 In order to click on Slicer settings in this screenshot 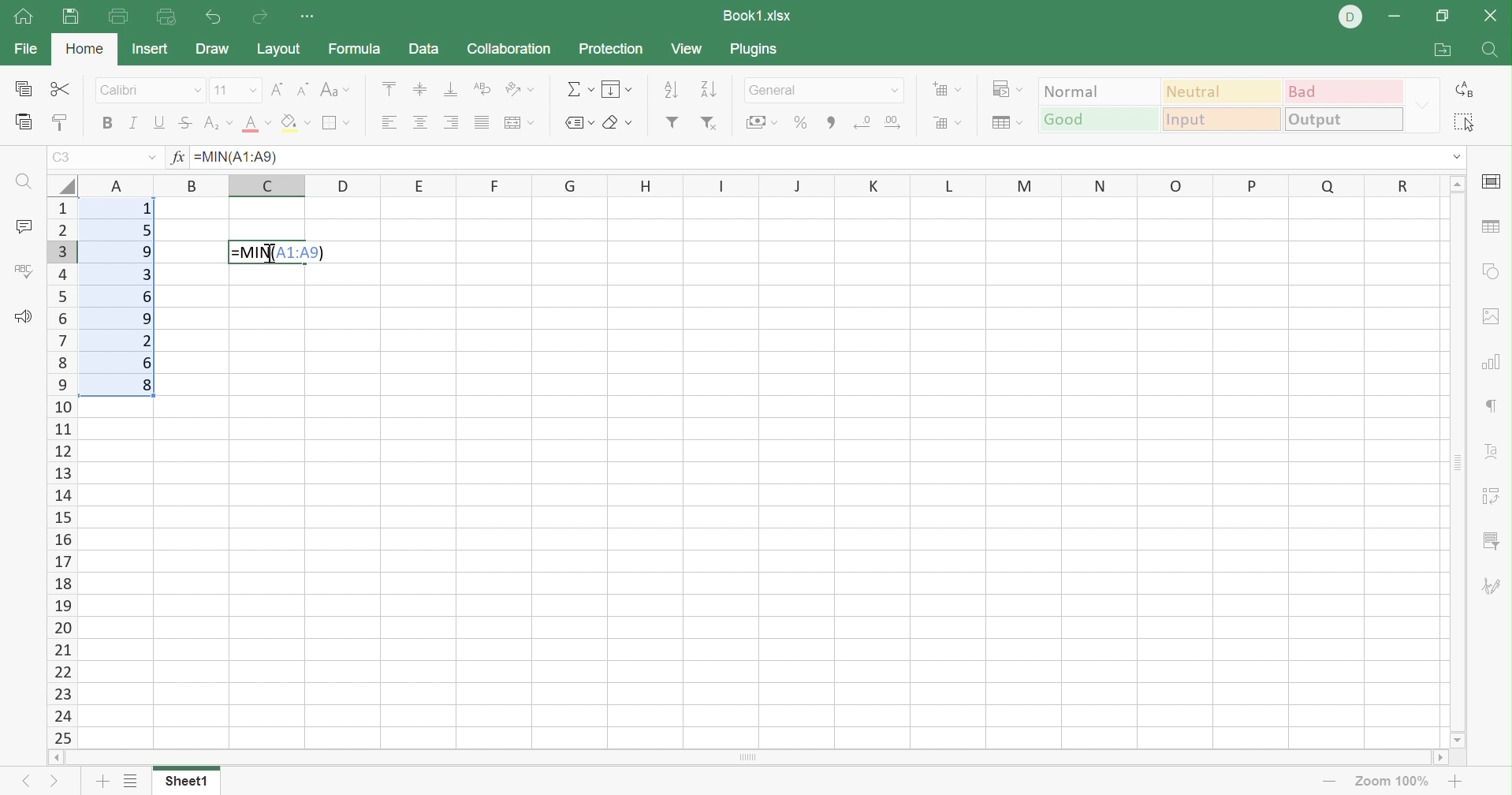, I will do `click(1495, 494)`.